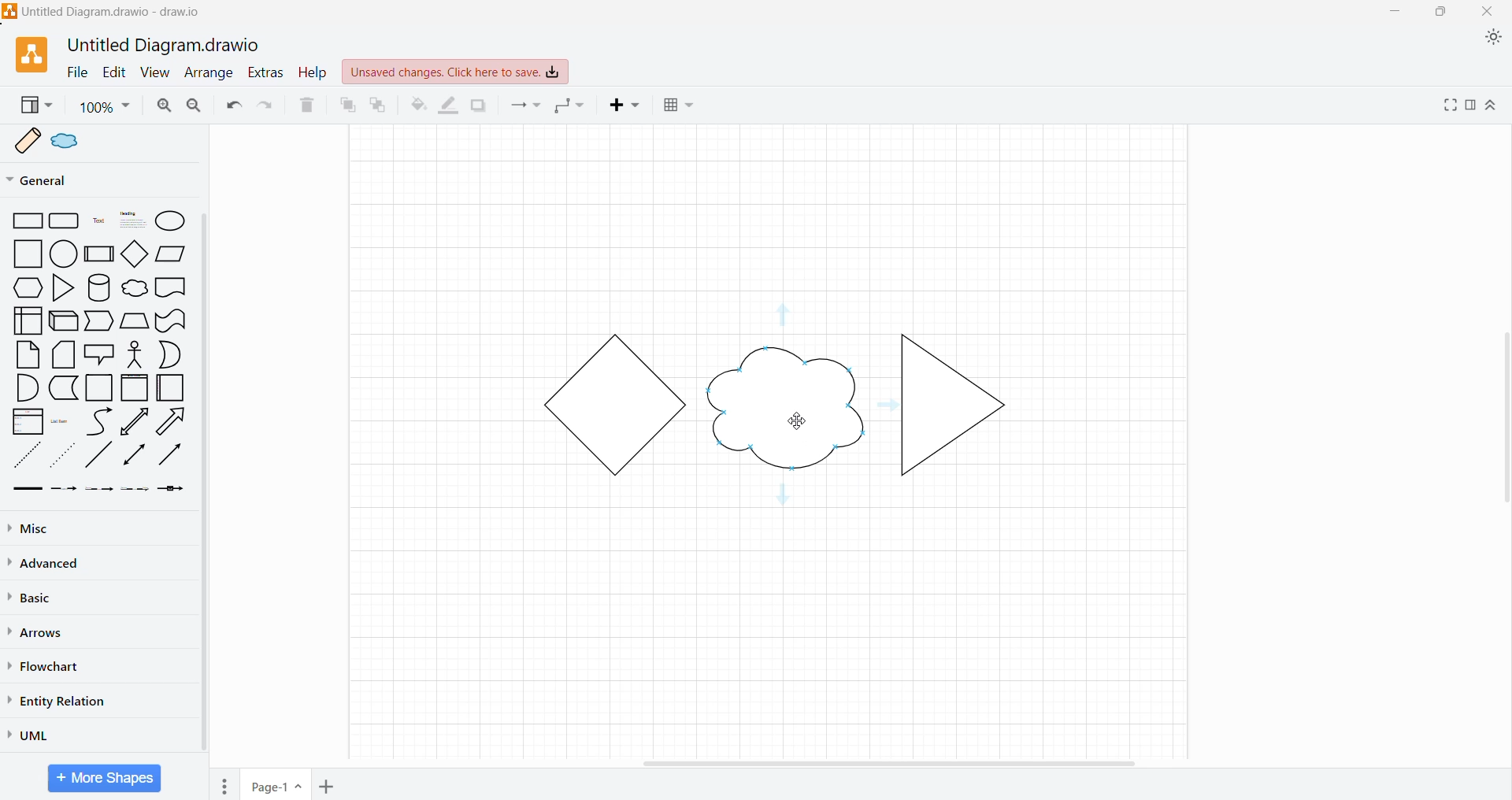 The height and width of the screenshot is (800, 1512). What do you see at coordinates (1503, 415) in the screenshot?
I see `Vertical Scroll Bar` at bounding box center [1503, 415].